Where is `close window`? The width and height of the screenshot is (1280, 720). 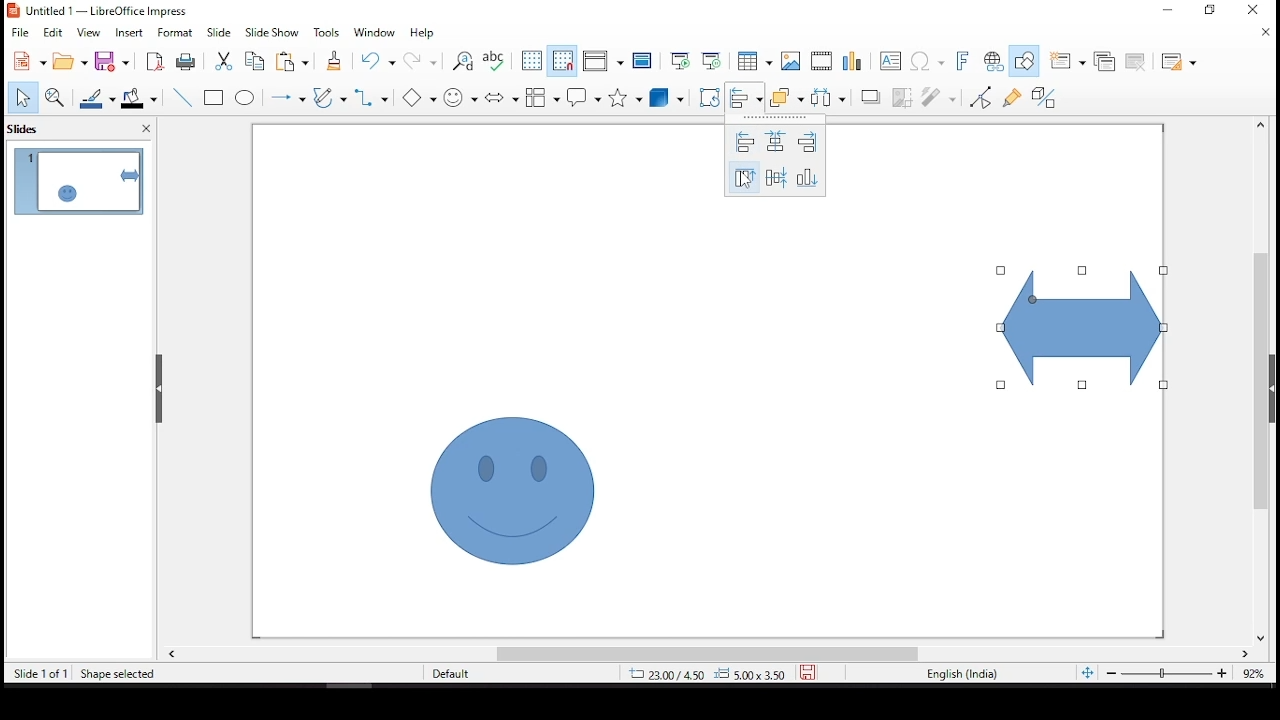 close window is located at coordinates (1252, 10).